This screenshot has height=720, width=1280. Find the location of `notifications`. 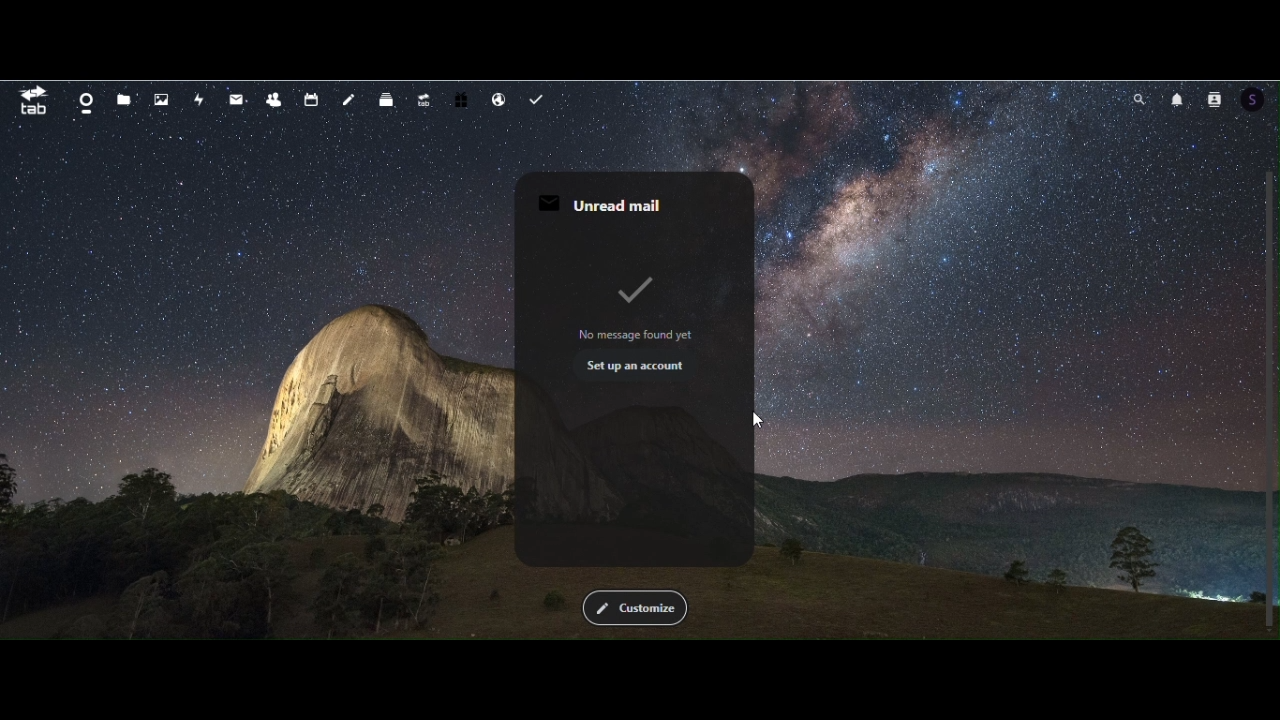

notifications is located at coordinates (1176, 97).